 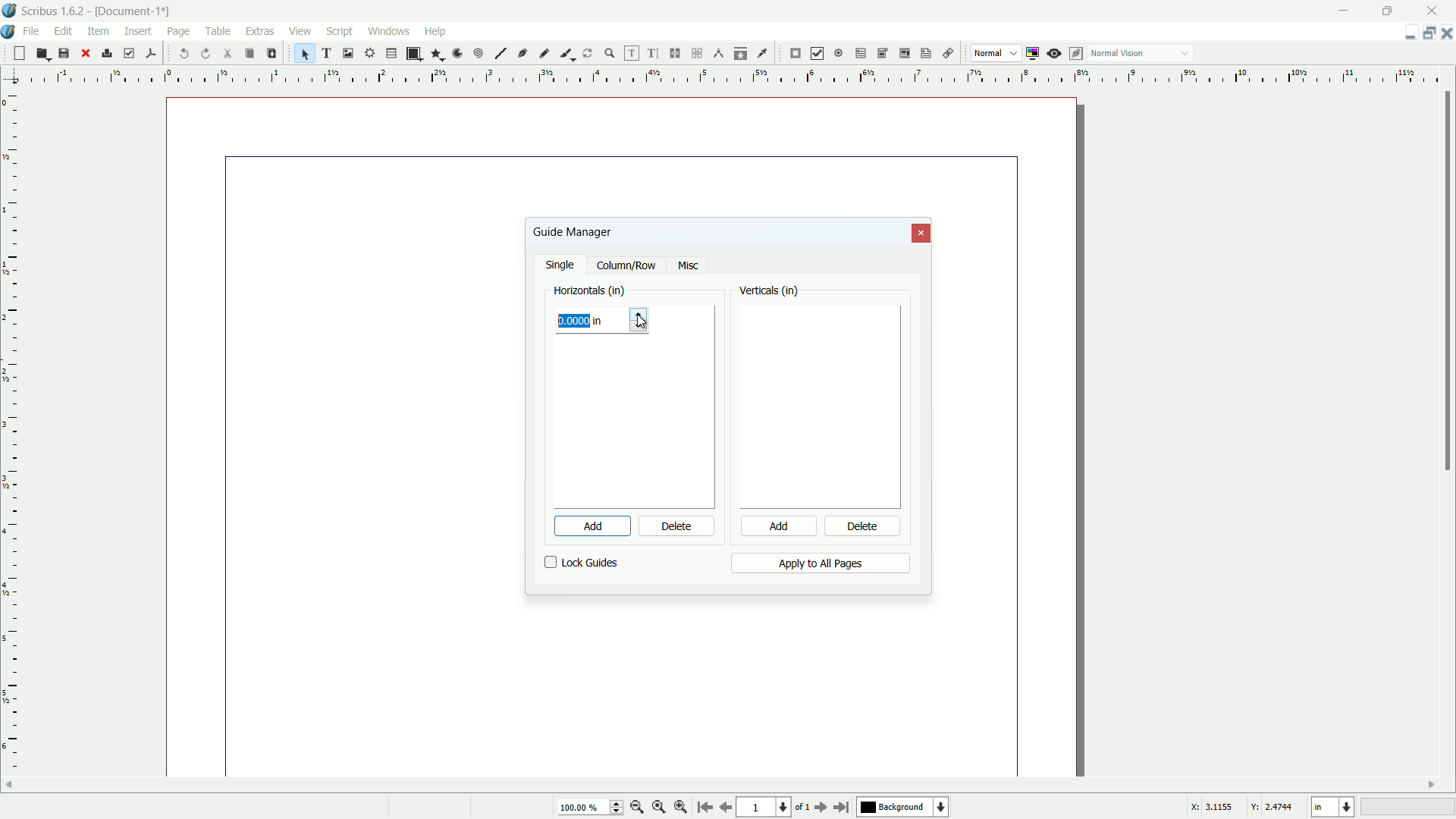 What do you see at coordinates (9, 11) in the screenshot?
I see `app icon` at bounding box center [9, 11].